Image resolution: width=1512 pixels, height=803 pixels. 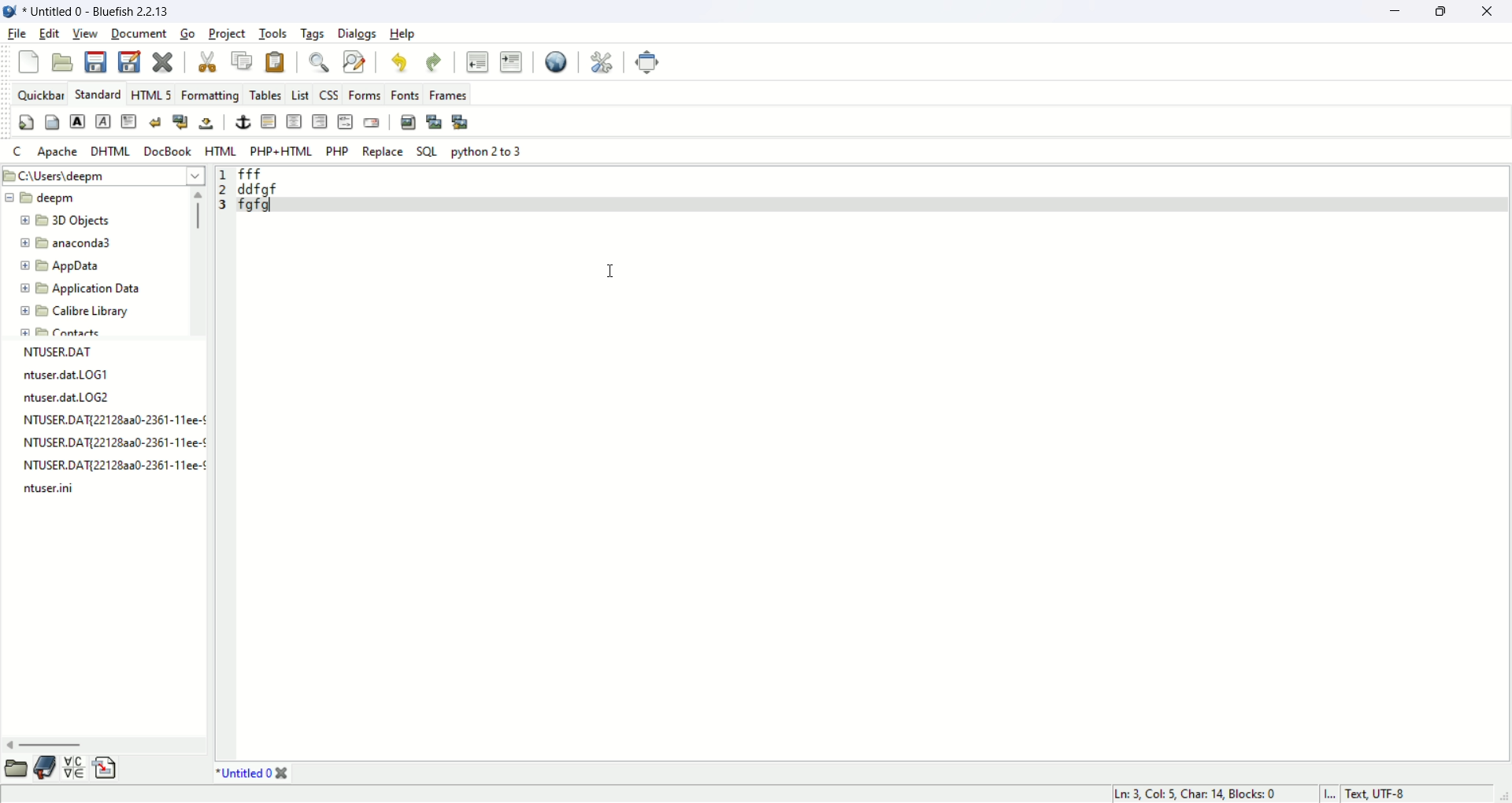 I want to click on 3D objects, so click(x=66, y=221).